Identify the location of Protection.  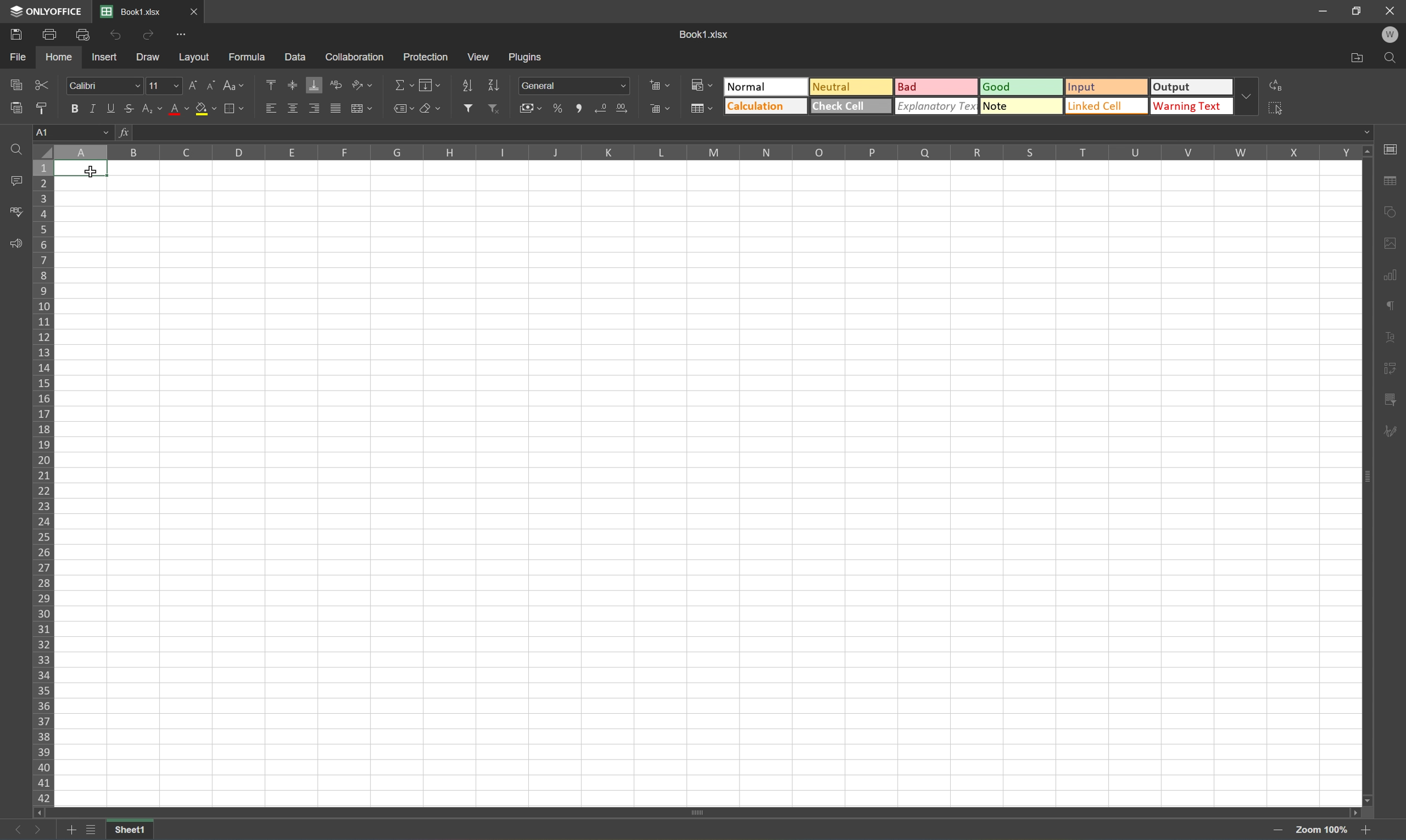
(425, 57).